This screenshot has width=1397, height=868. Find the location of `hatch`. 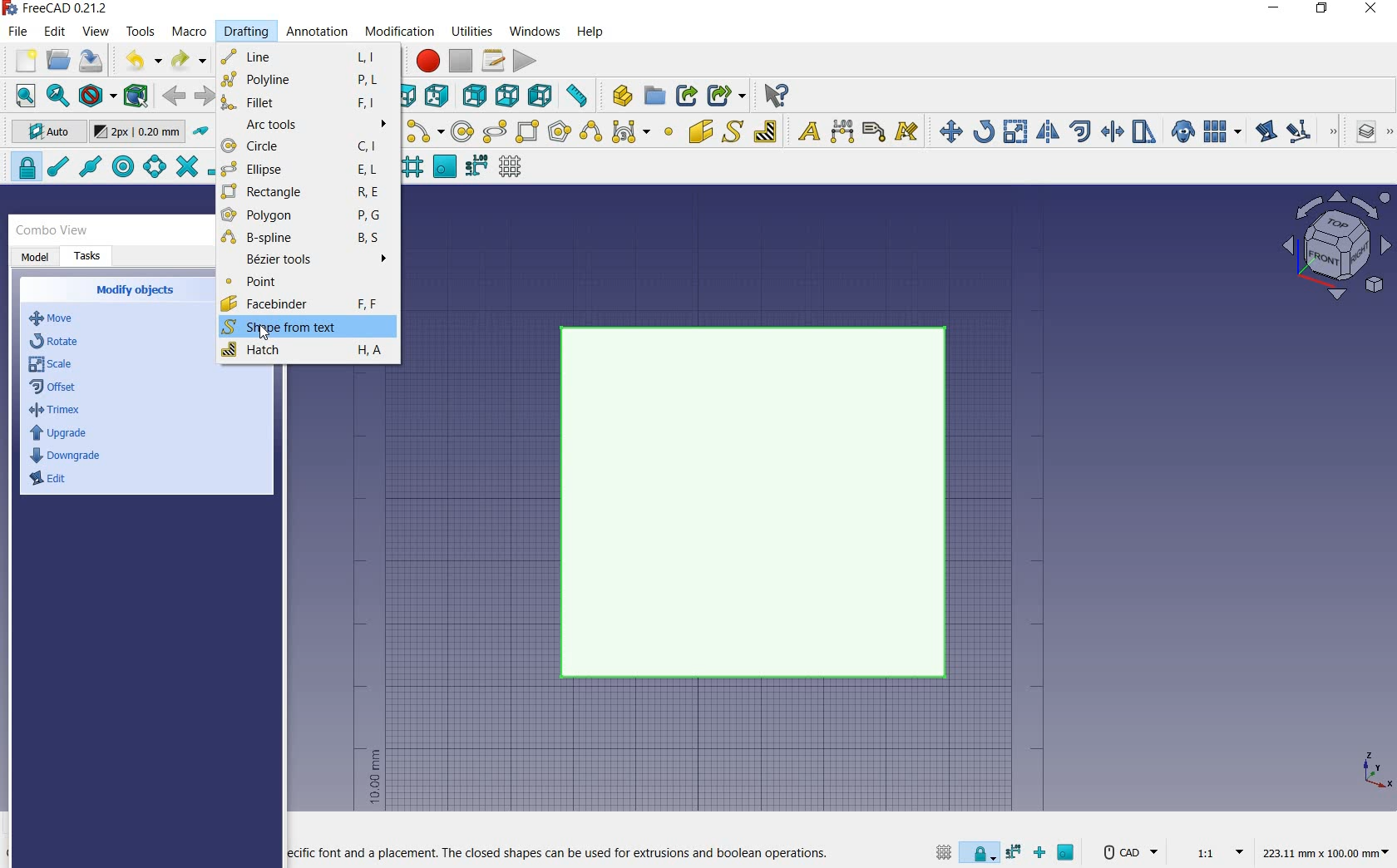

hatch is located at coordinates (766, 131).